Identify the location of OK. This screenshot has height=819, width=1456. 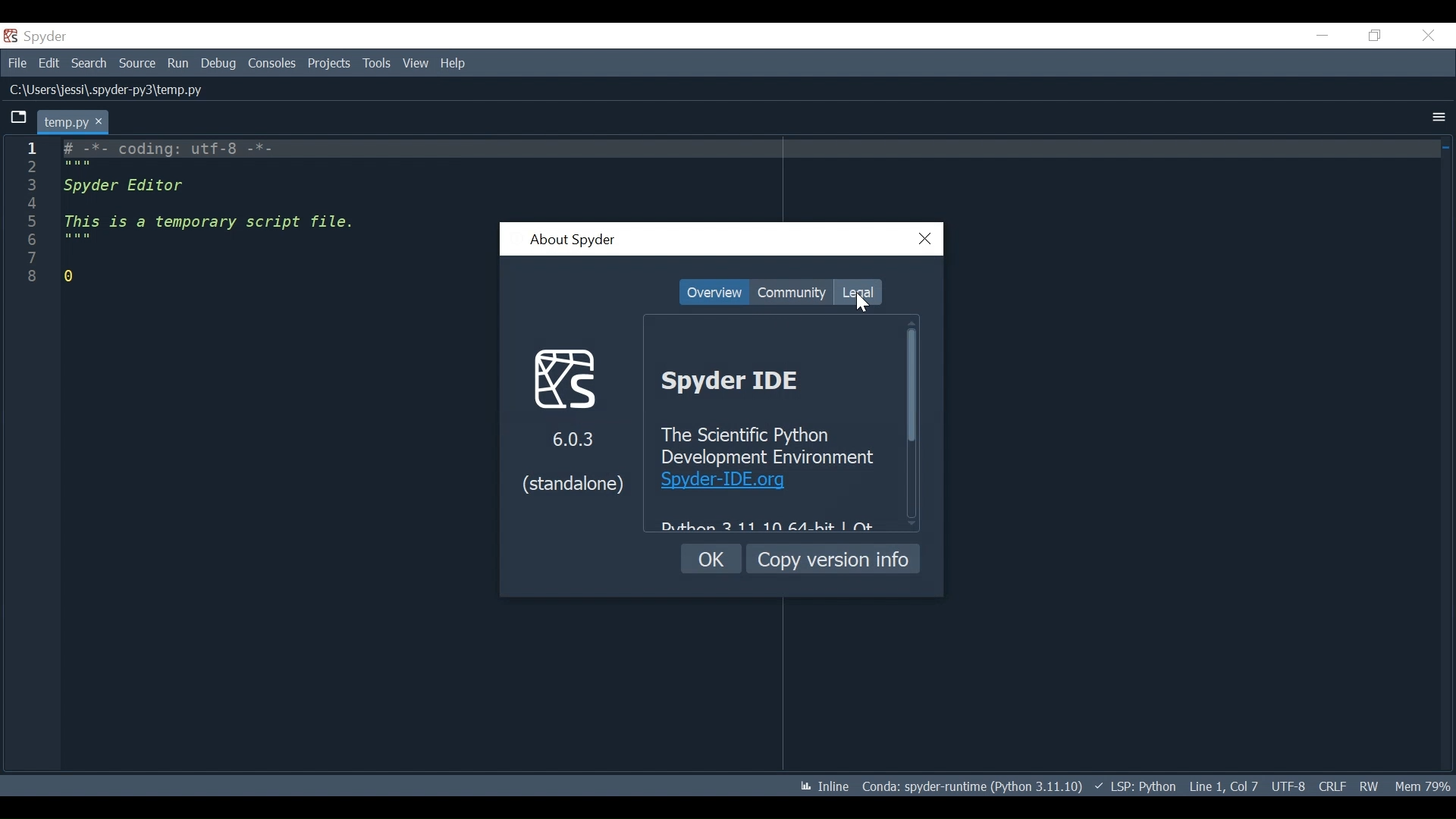
(712, 559).